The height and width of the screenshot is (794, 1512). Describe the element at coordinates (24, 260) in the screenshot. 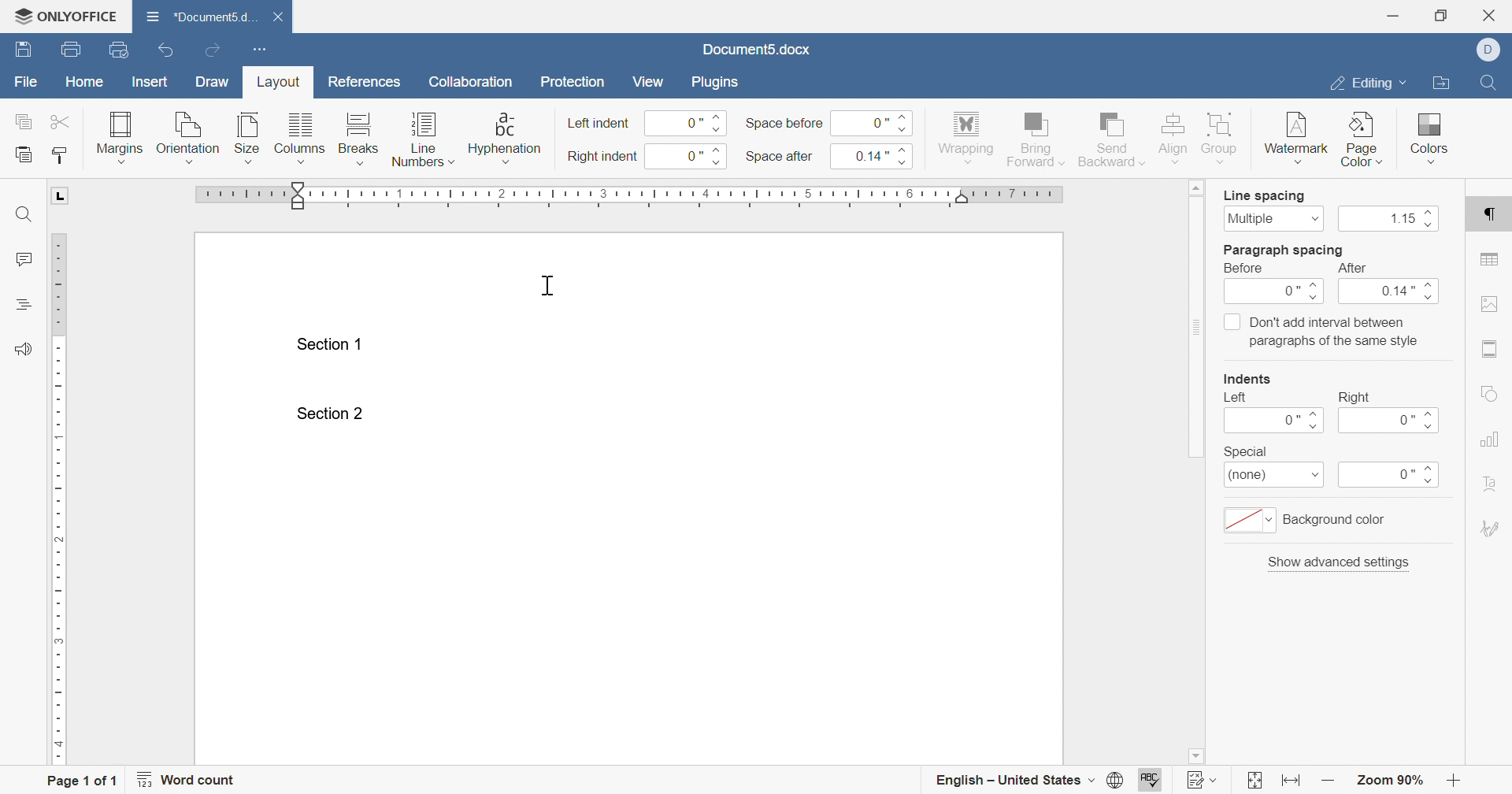

I see `comments` at that location.